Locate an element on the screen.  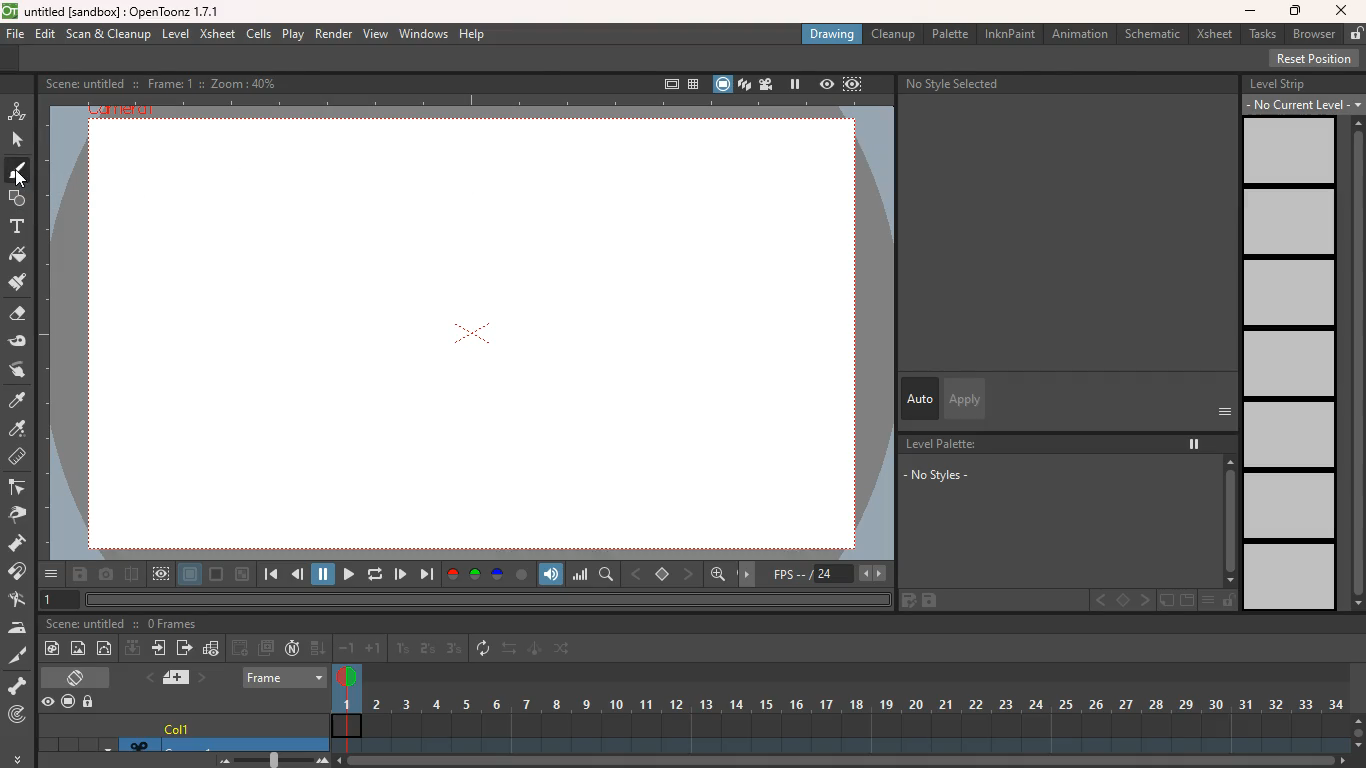
swap is located at coordinates (19, 369).